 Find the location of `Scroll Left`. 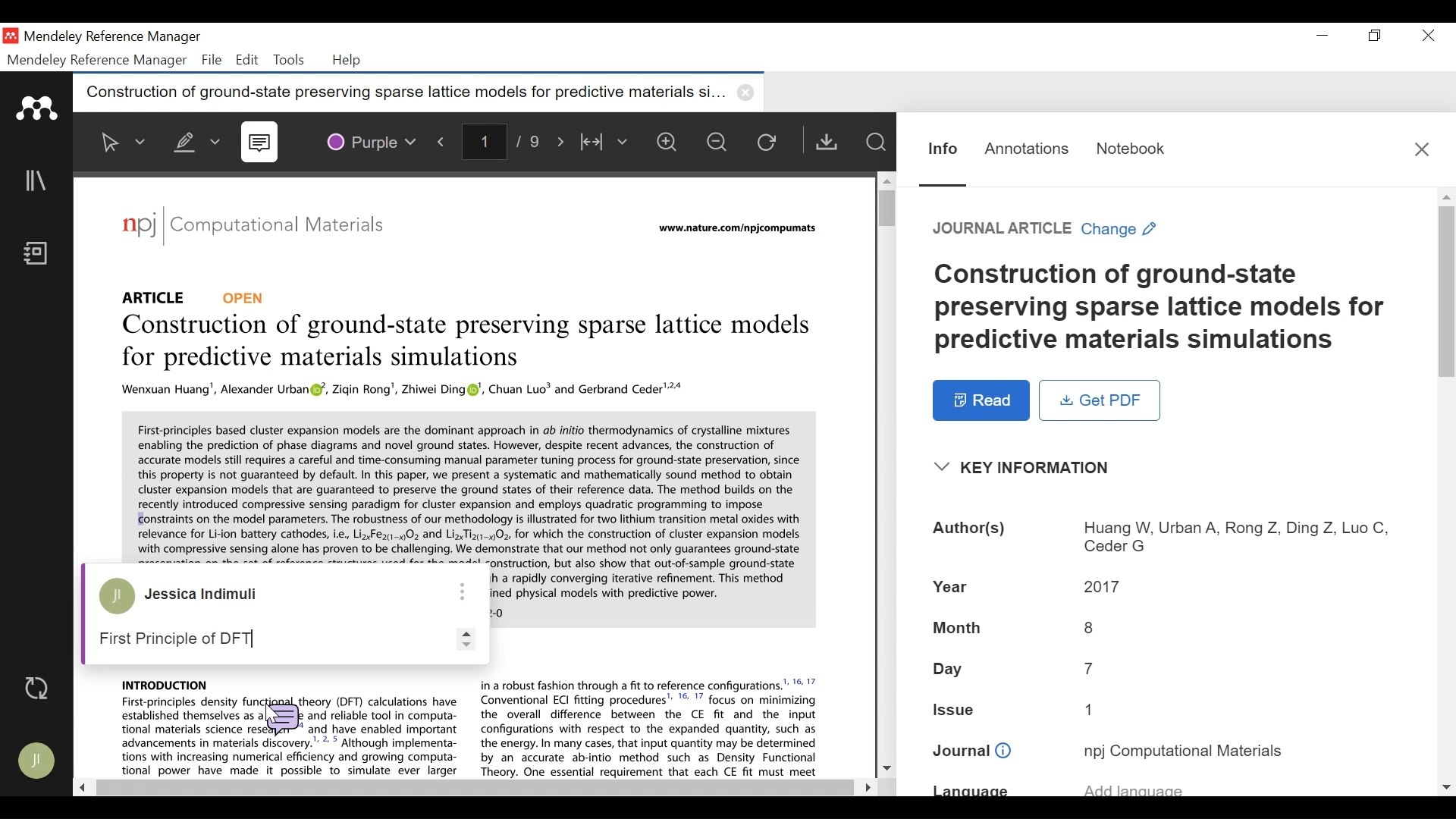

Scroll Left is located at coordinates (83, 789).